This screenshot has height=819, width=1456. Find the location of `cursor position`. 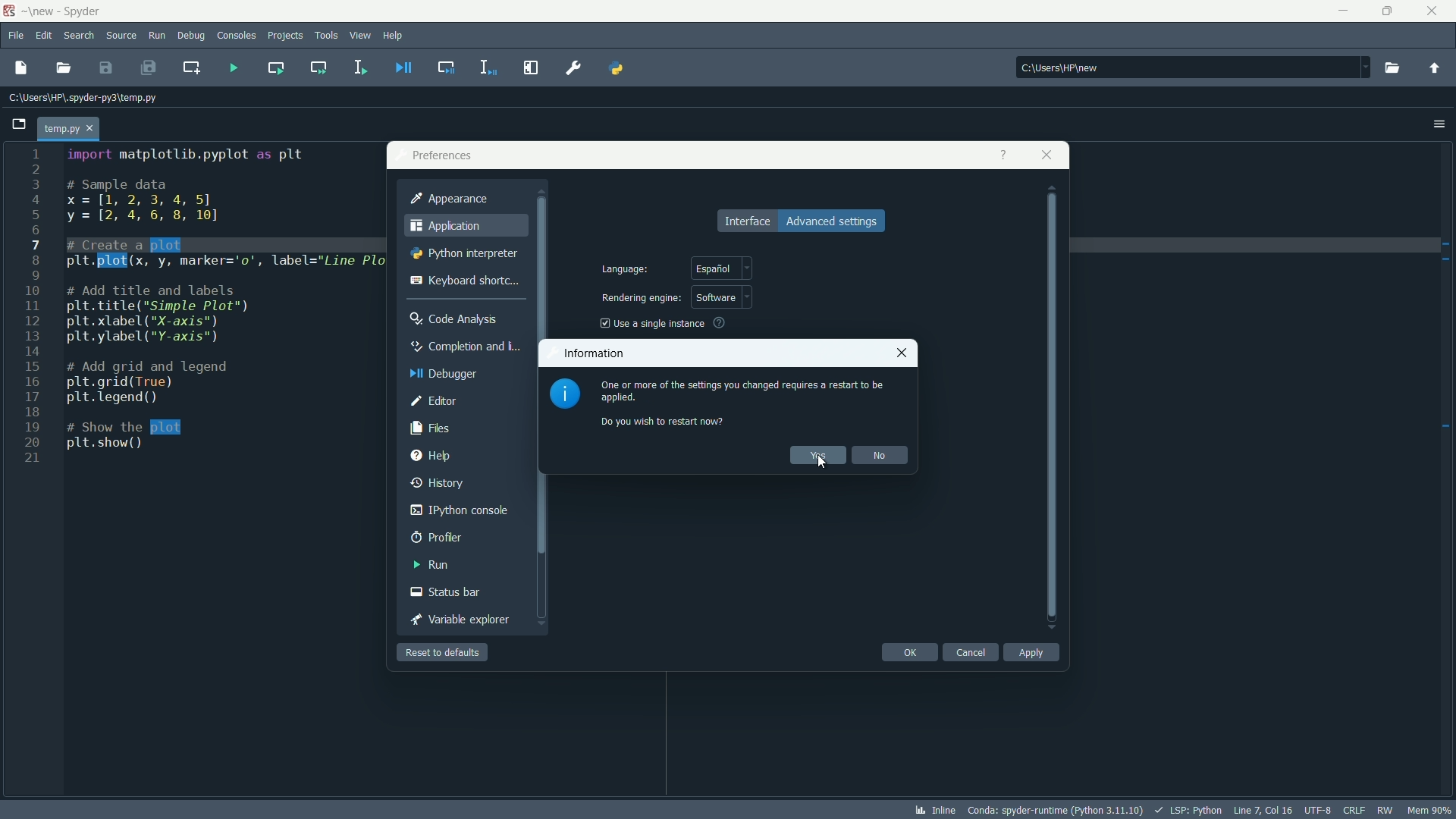

cursor position is located at coordinates (1262, 810).